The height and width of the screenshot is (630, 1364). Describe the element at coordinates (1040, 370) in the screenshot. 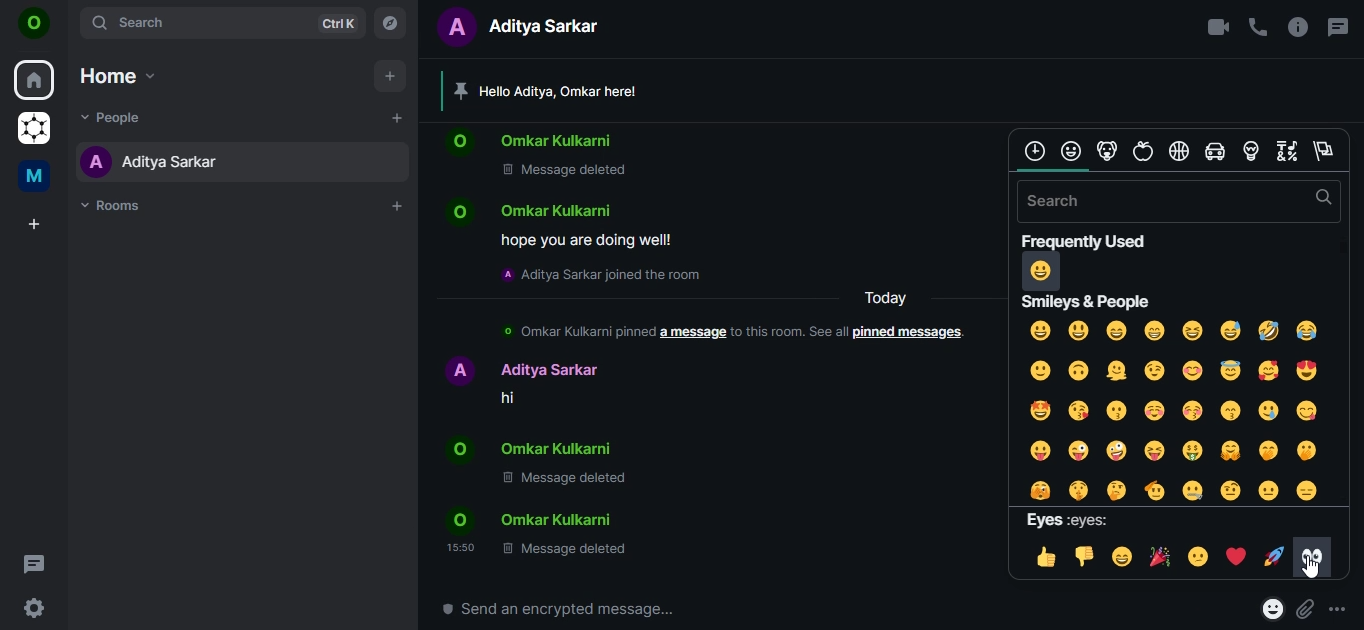

I see `slightly smiling face` at that location.